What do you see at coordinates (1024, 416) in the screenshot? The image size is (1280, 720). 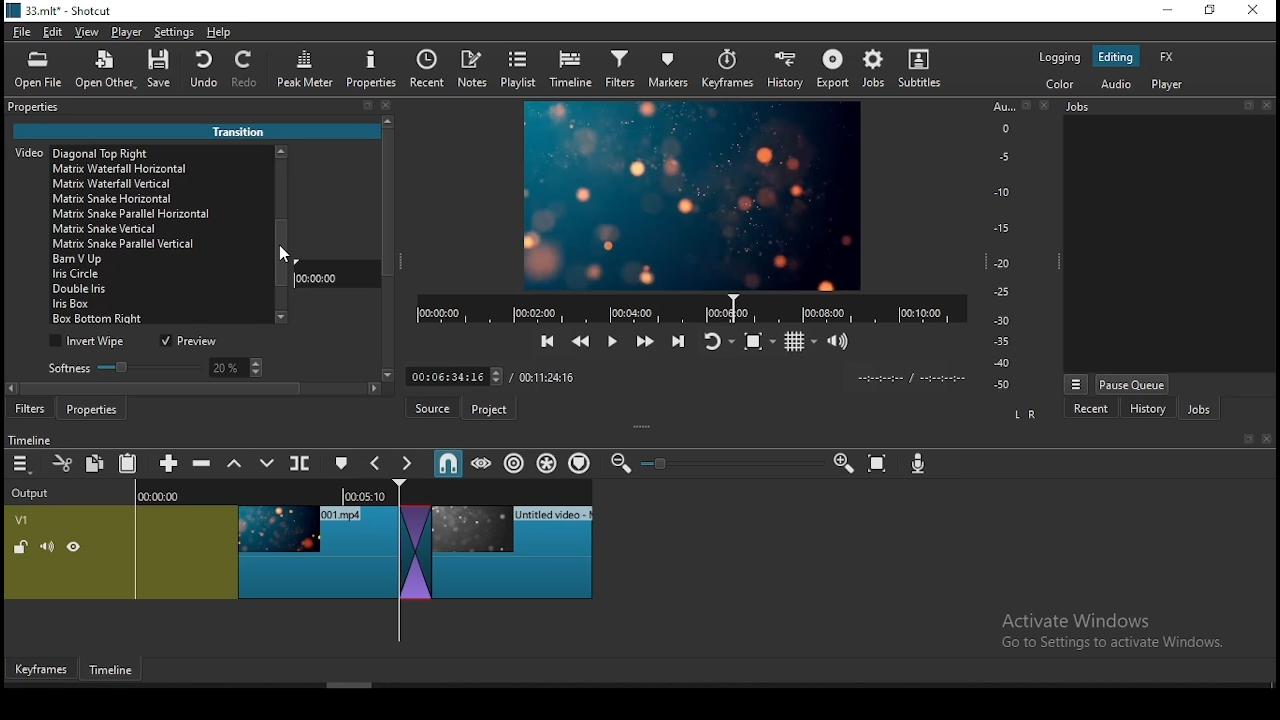 I see `LR` at bounding box center [1024, 416].